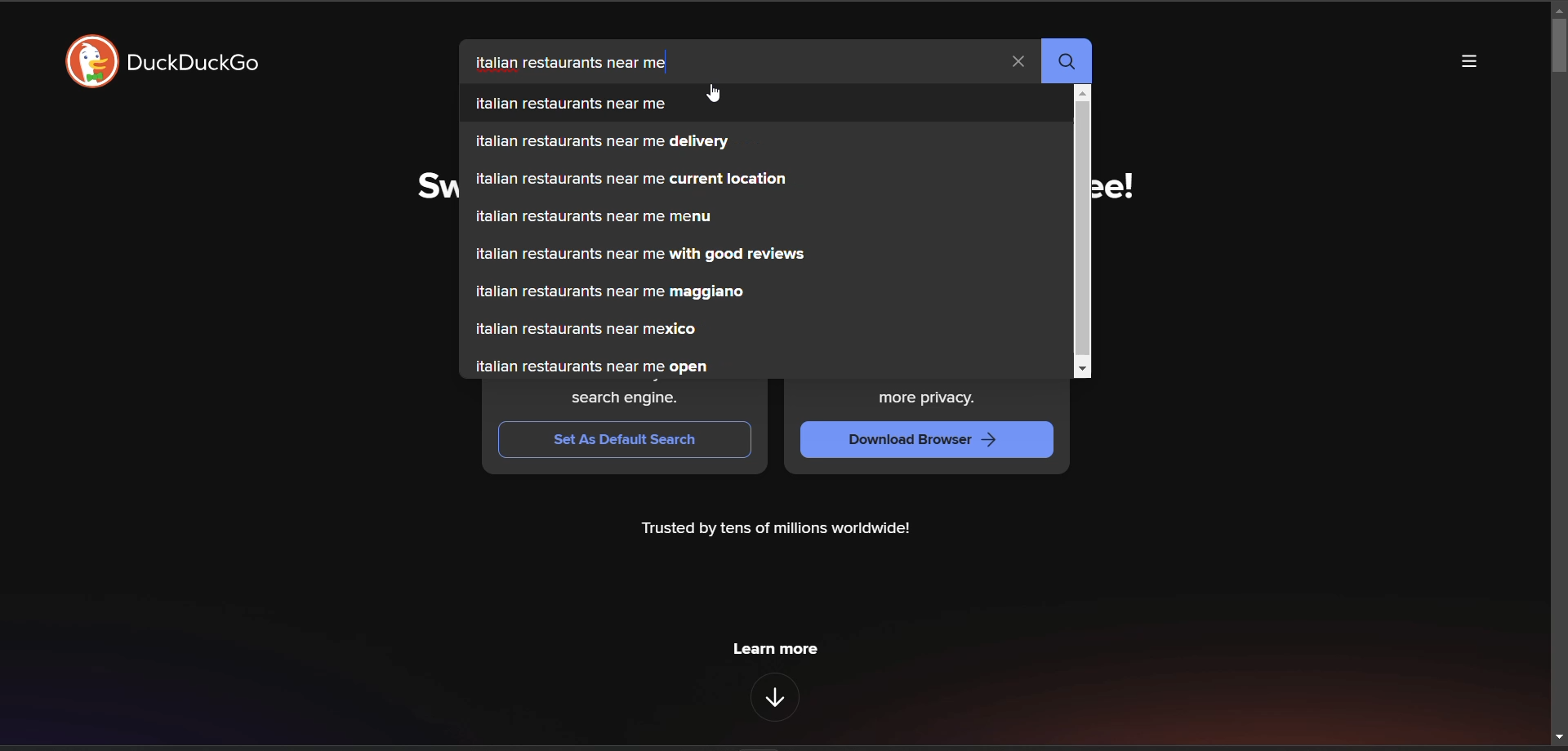 The image size is (1568, 751). I want to click on Get our free browser for even more privacy., so click(929, 395).